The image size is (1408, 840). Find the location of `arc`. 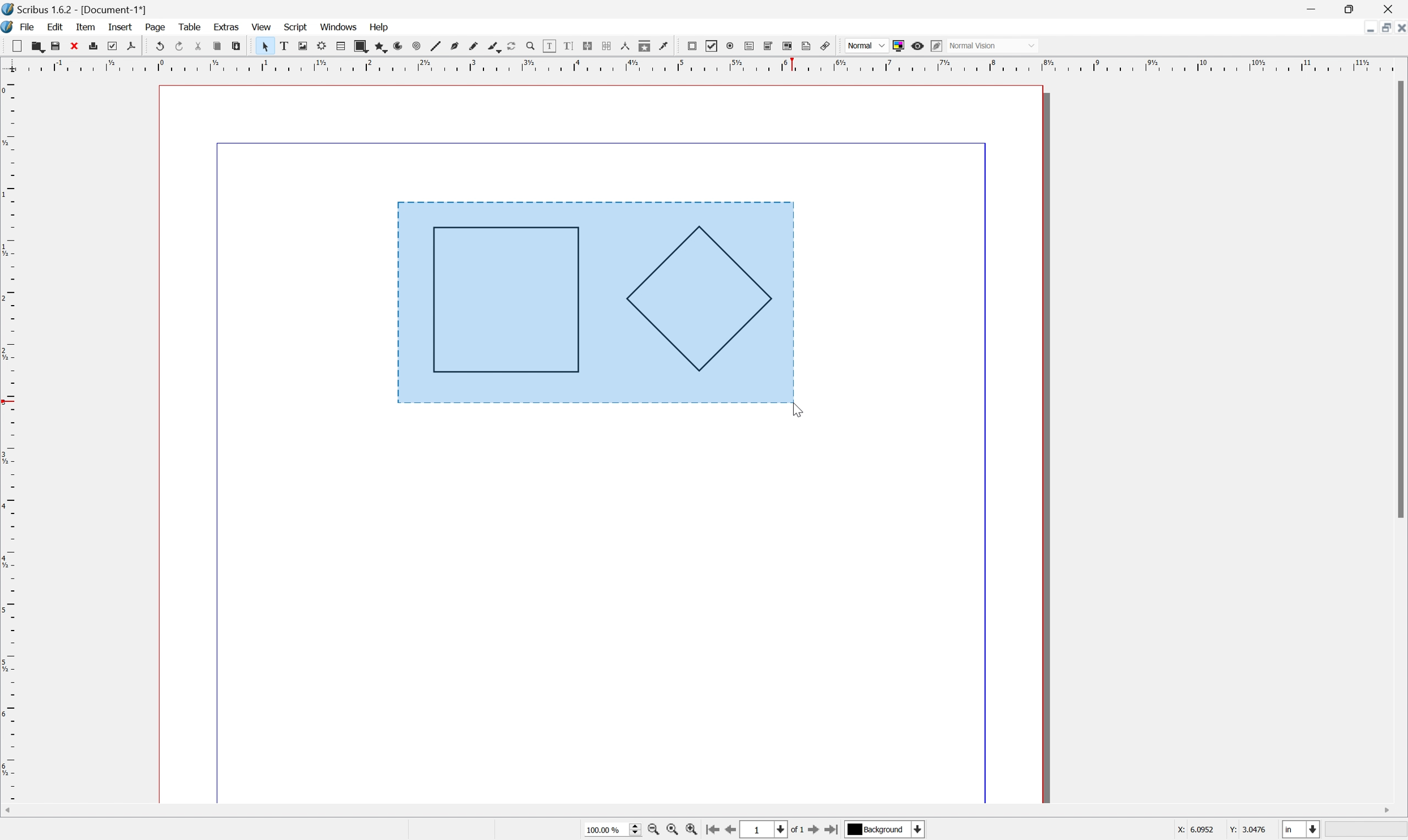

arc is located at coordinates (394, 45).